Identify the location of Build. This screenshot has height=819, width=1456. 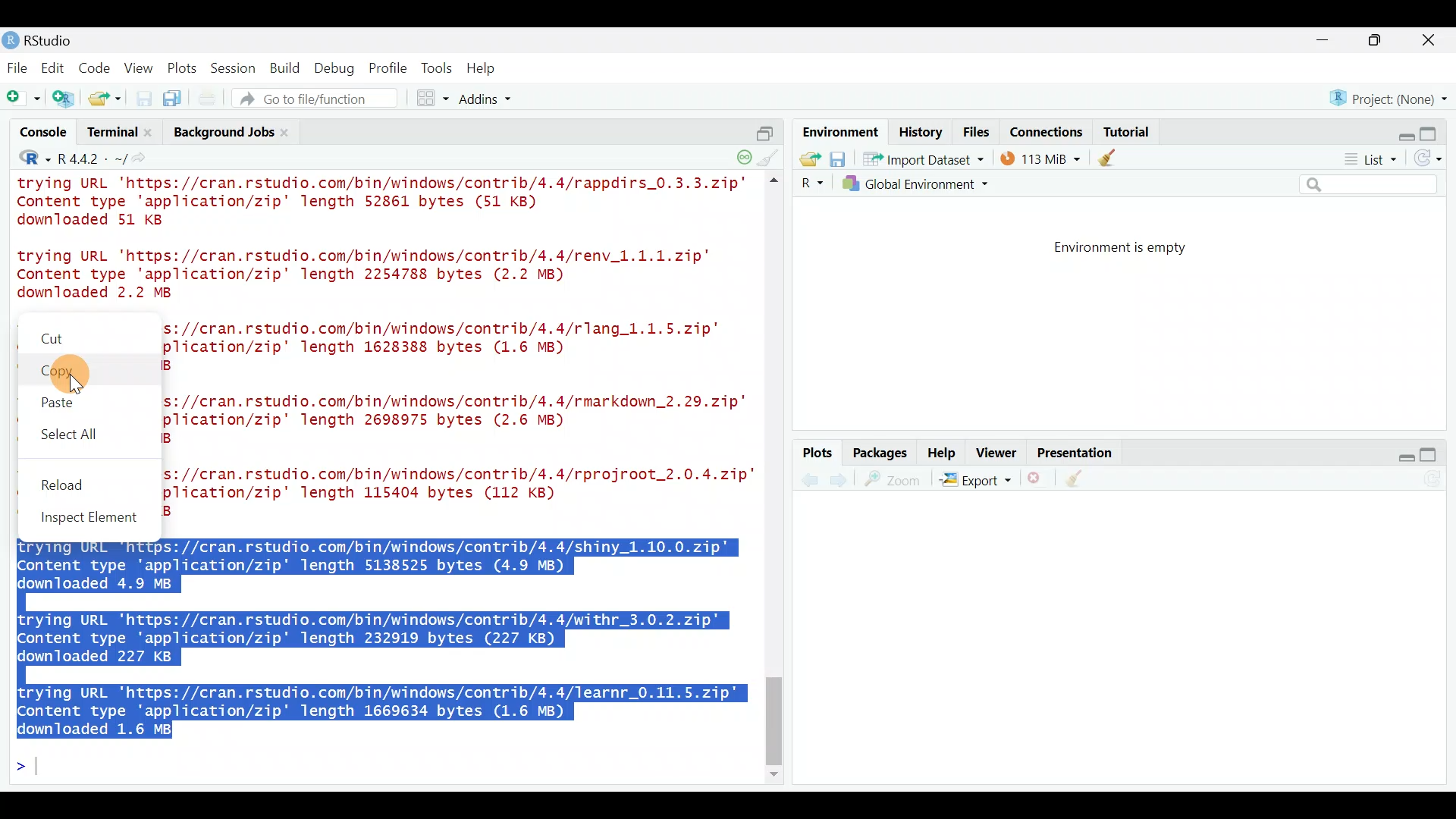
(286, 67).